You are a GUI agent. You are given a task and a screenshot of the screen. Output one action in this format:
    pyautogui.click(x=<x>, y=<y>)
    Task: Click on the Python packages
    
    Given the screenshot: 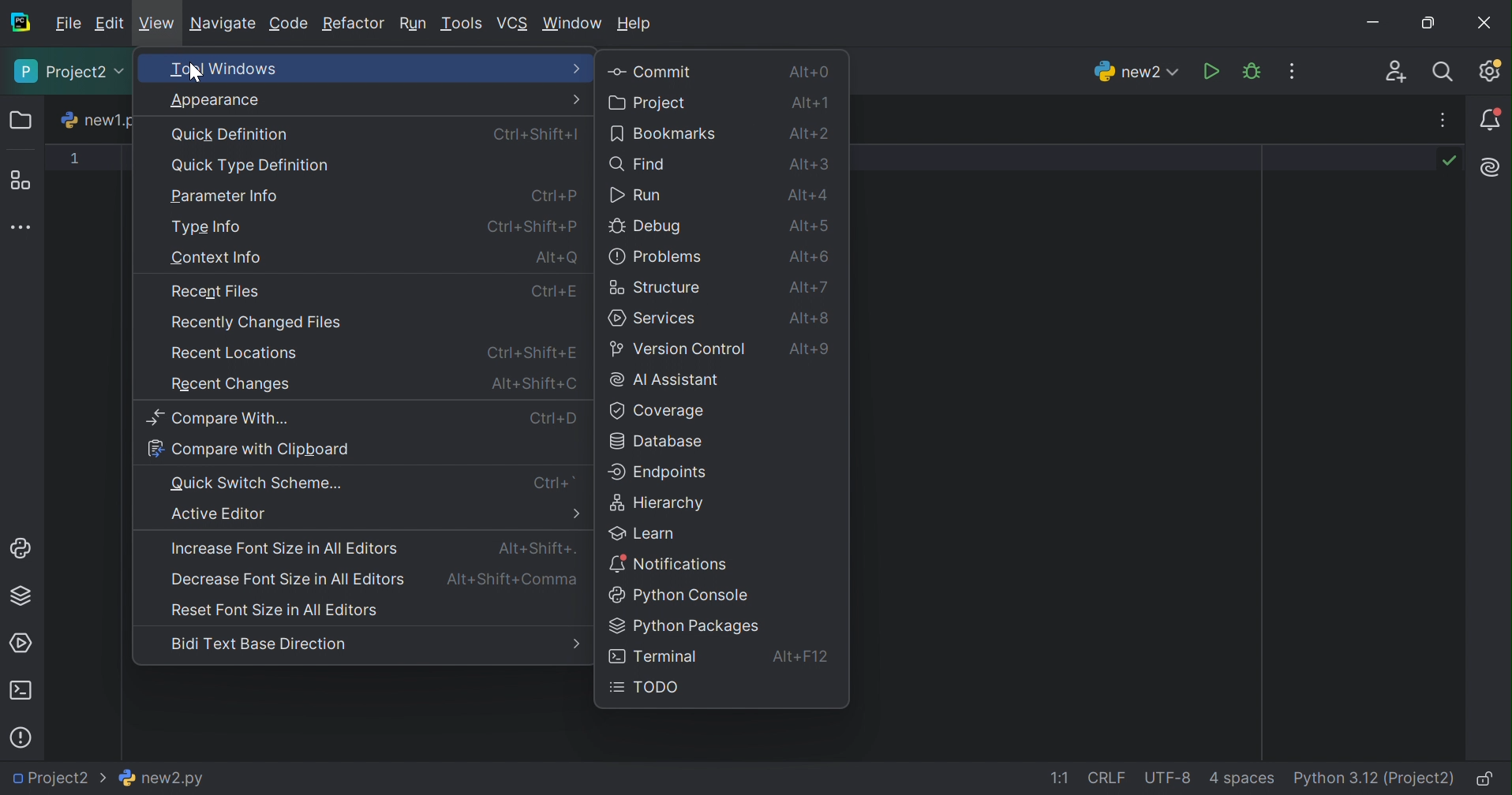 What is the action you would take?
    pyautogui.click(x=20, y=595)
    